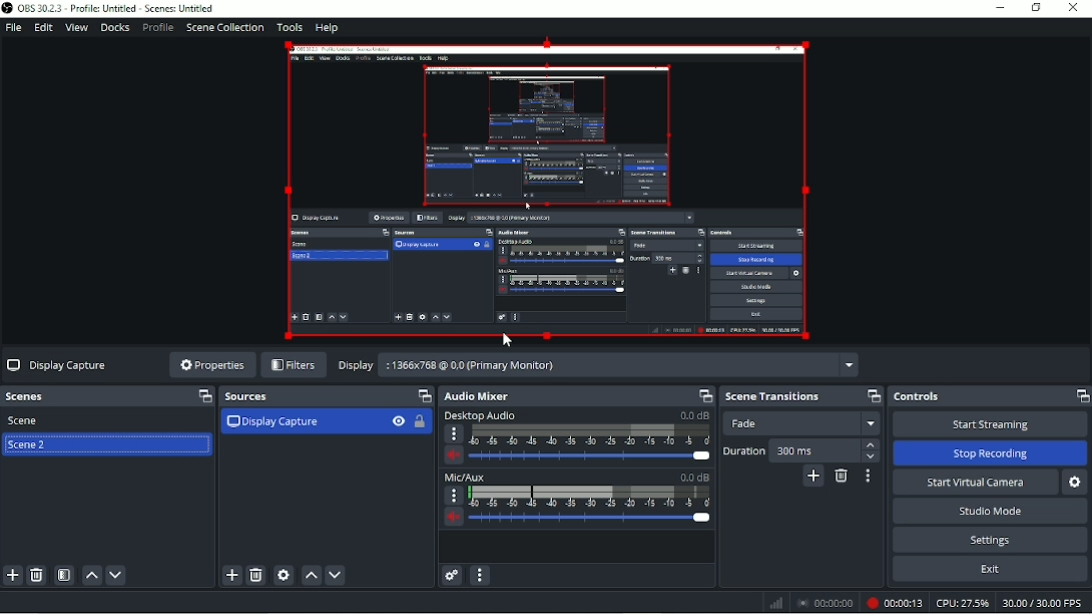 The image size is (1092, 614). Describe the element at coordinates (596, 364) in the screenshot. I see `Display 1366x768 @ 0,0 (Primary Monitor)` at that location.